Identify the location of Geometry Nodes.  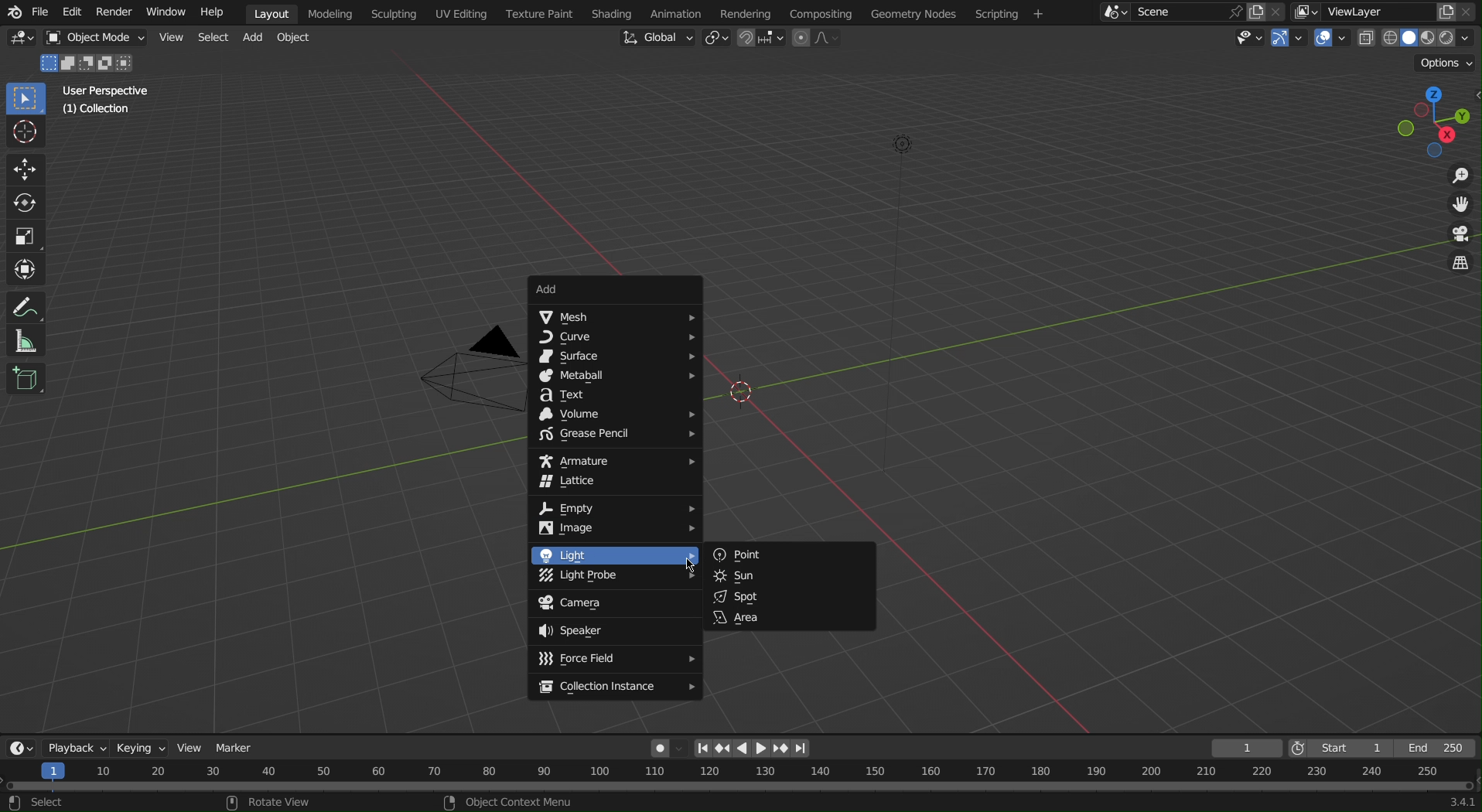
(912, 12).